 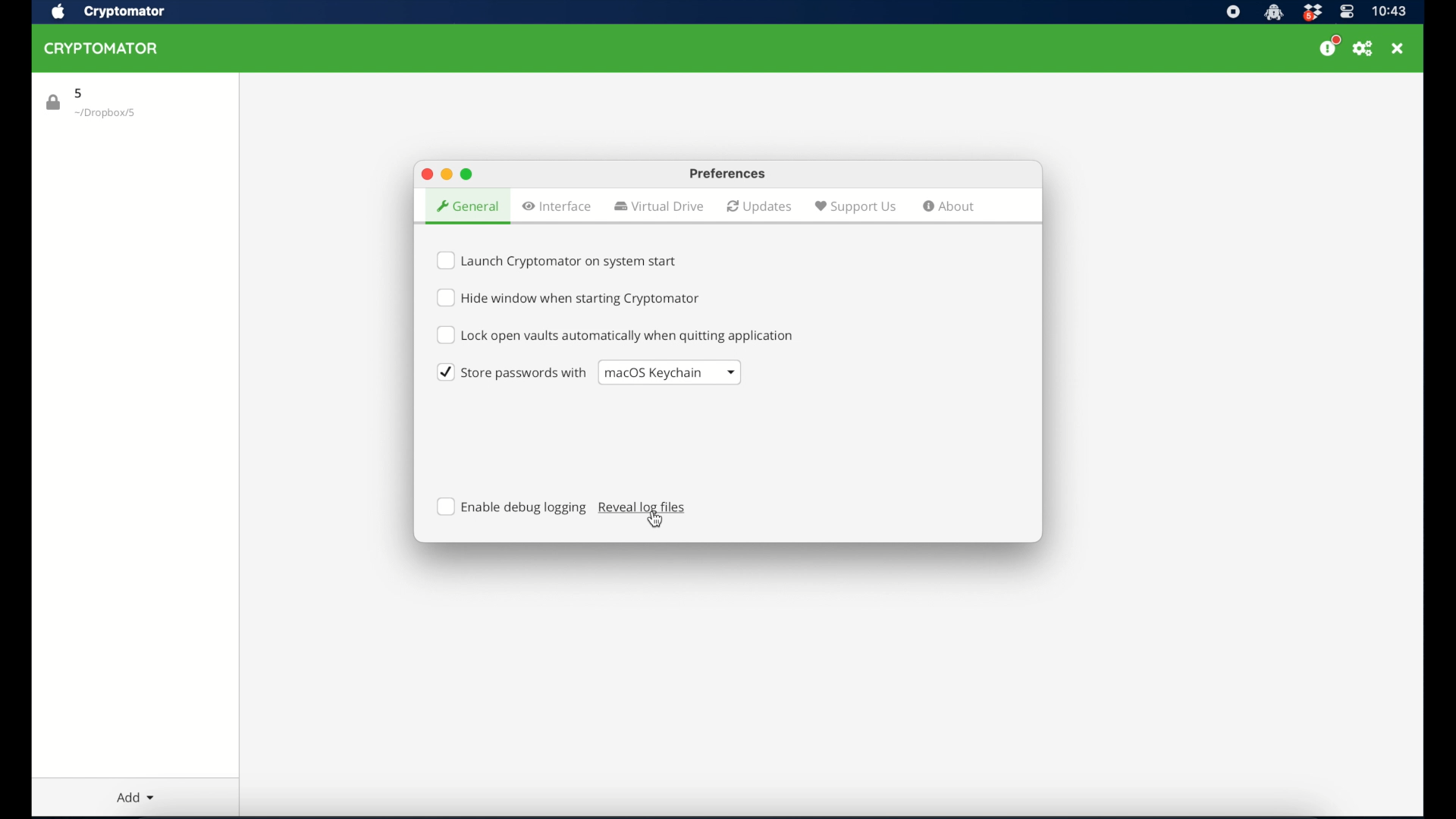 I want to click on add dropdown, so click(x=143, y=795).